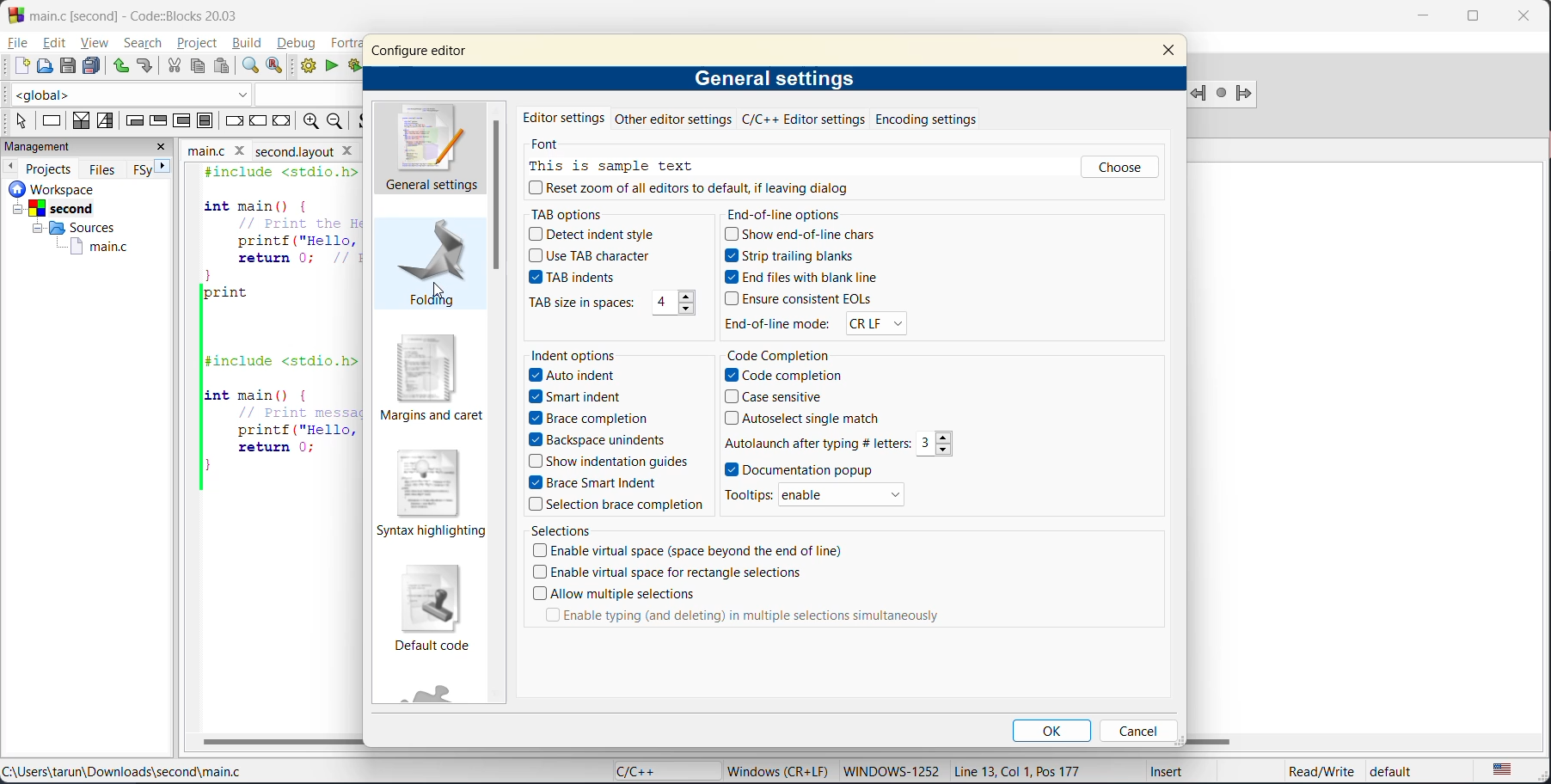 The image size is (1551, 784). What do you see at coordinates (675, 120) in the screenshot?
I see `other editor settings` at bounding box center [675, 120].